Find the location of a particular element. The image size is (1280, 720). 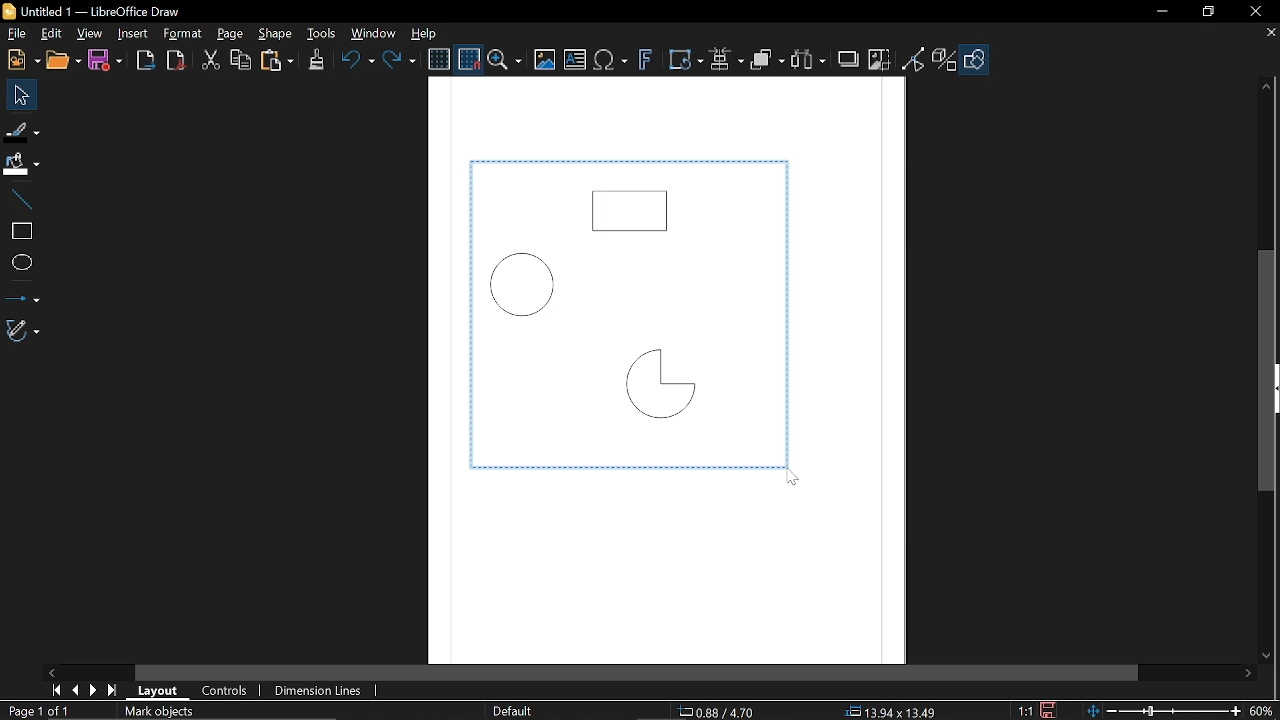

Vertical scrollbar is located at coordinates (1266, 370).